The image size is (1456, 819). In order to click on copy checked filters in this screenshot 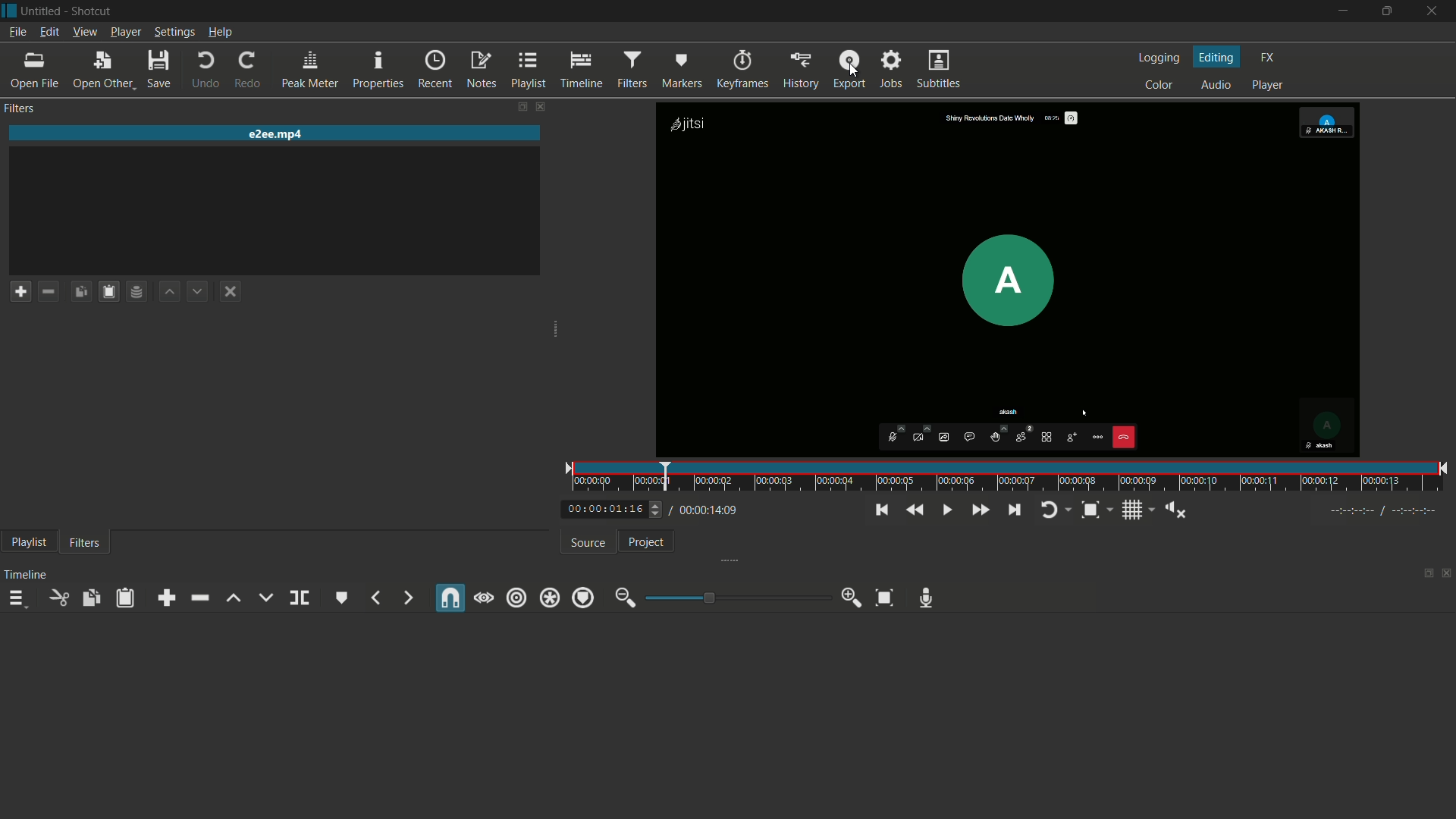, I will do `click(89, 597)`.